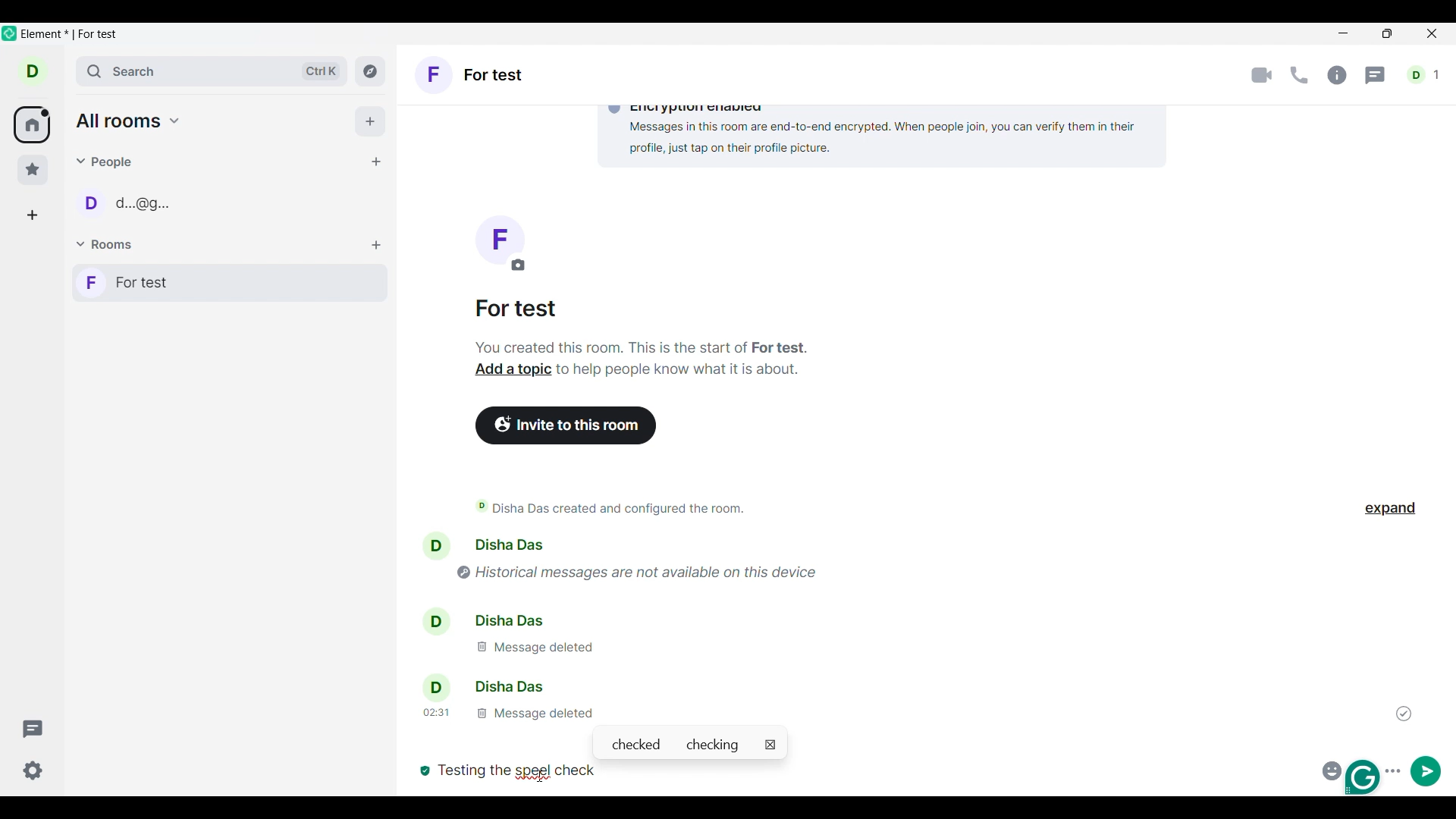 The width and height of the screenshot is (1456, 819). Describe the element at coordinates (1426, 770) in the screenshot. I see `Send typed message` at that location.